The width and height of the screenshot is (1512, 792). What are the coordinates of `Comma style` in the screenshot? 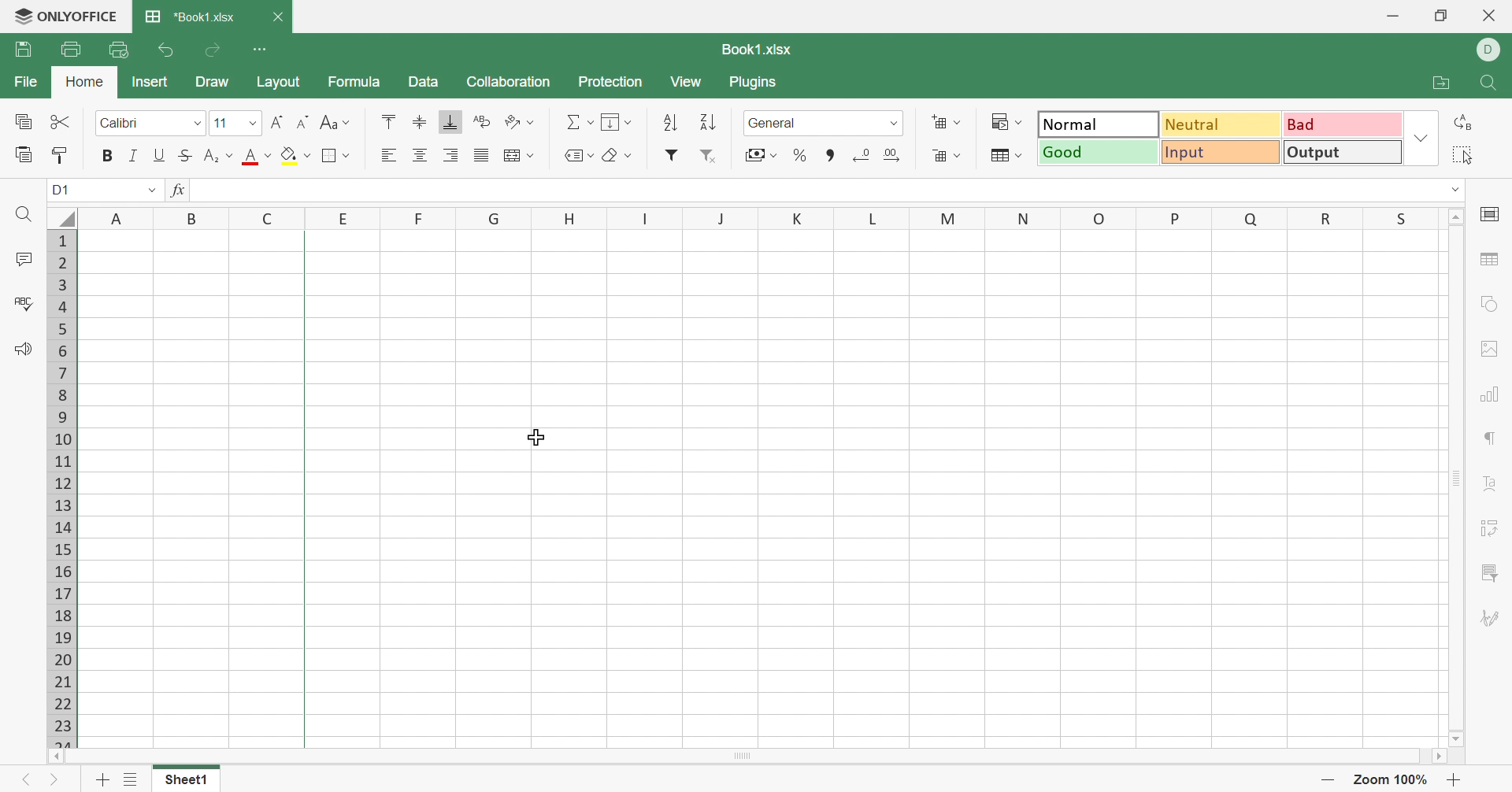 It's located at (830, 154).